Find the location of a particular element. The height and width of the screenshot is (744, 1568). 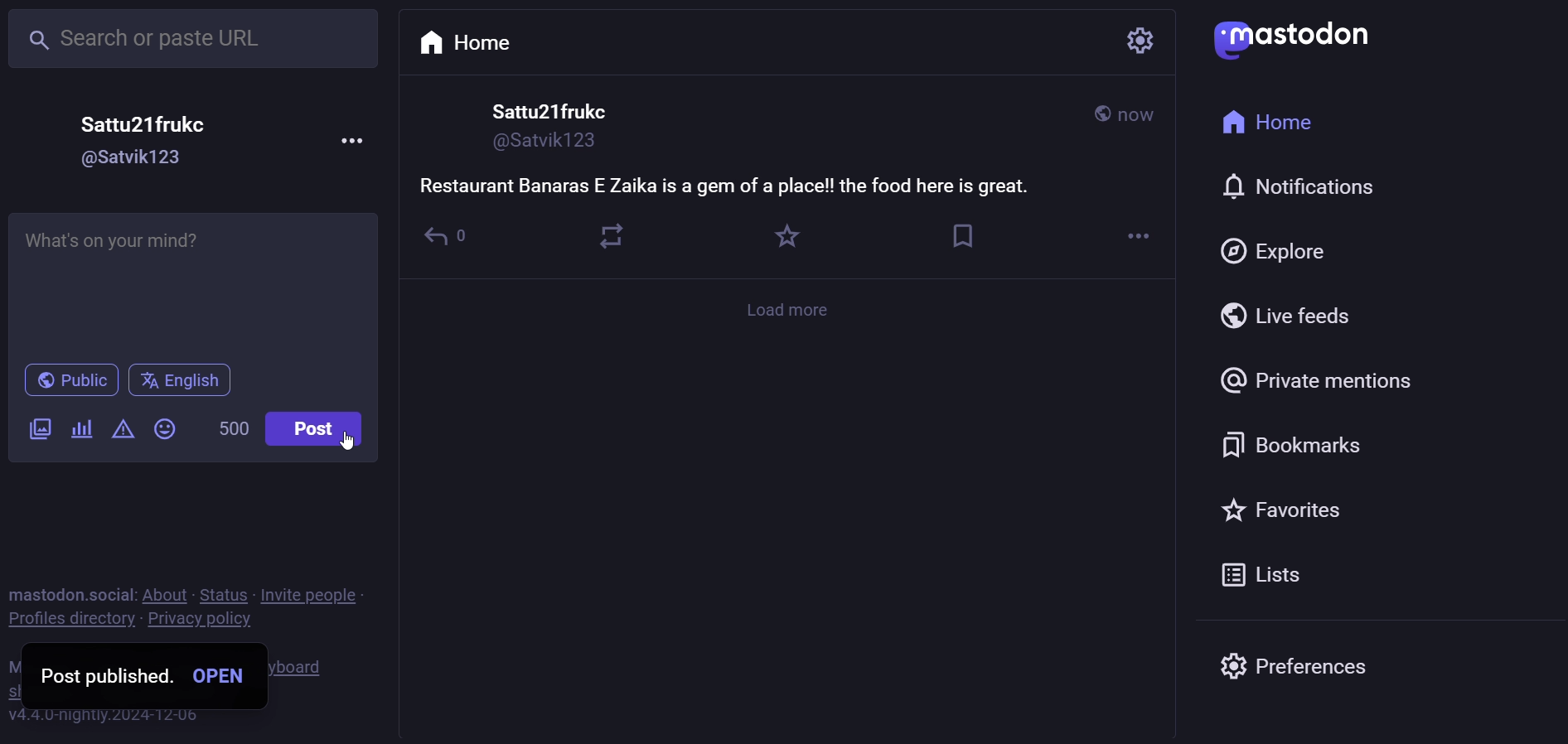

id is located at coordinates (542, 146).